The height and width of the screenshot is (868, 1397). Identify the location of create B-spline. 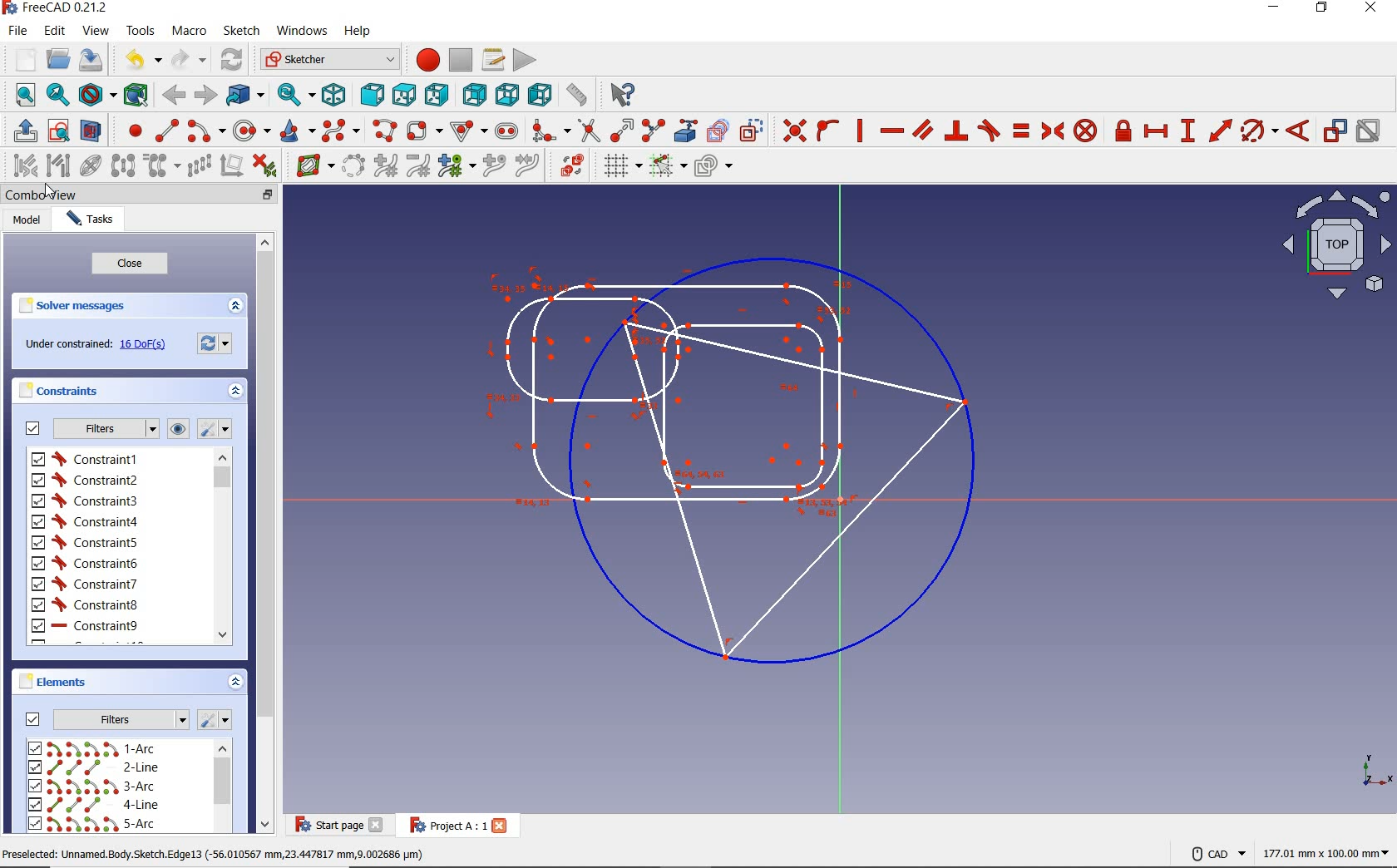
(339, 131).